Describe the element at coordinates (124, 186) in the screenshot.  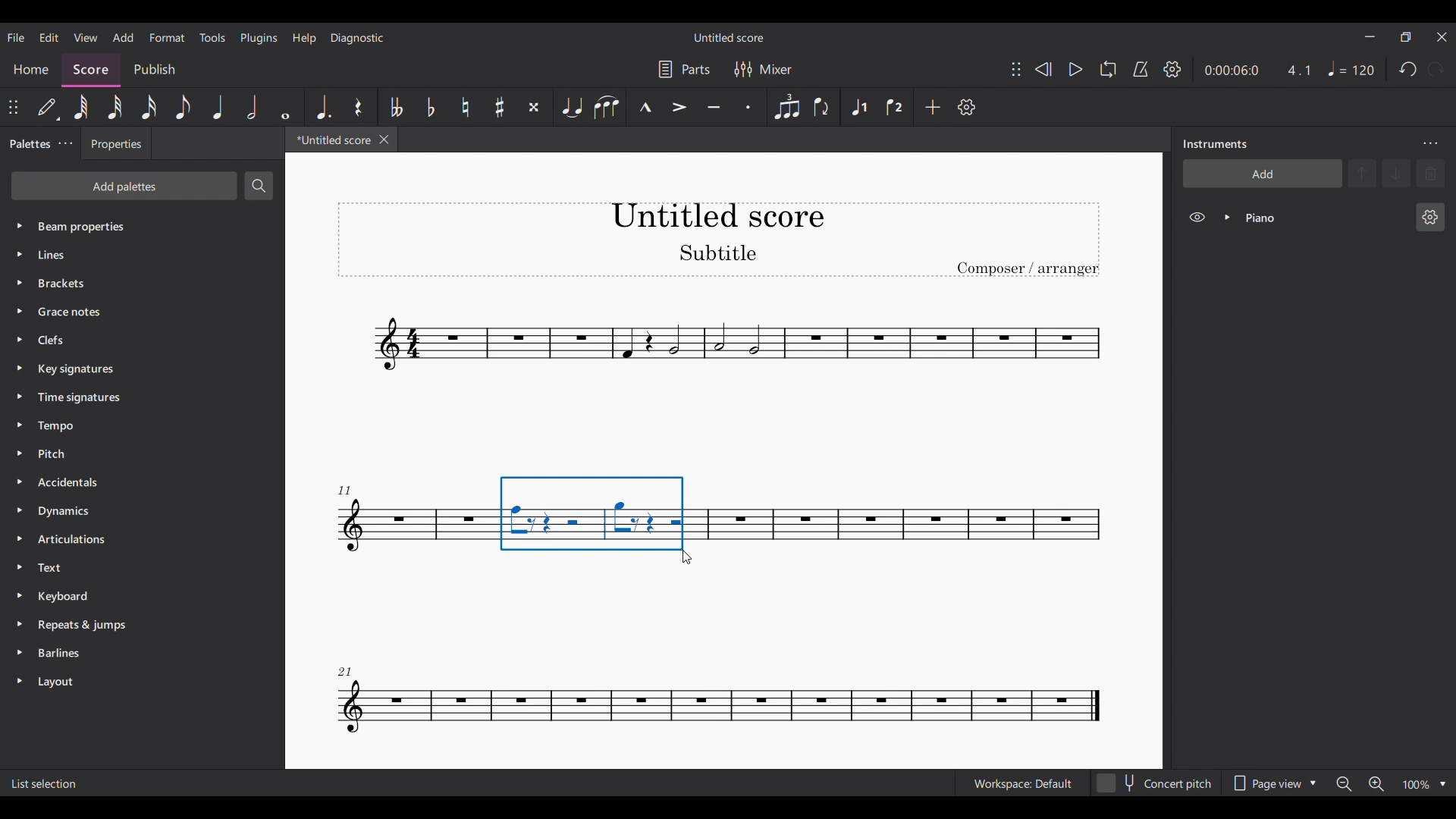
I see `Add palette` at that location.